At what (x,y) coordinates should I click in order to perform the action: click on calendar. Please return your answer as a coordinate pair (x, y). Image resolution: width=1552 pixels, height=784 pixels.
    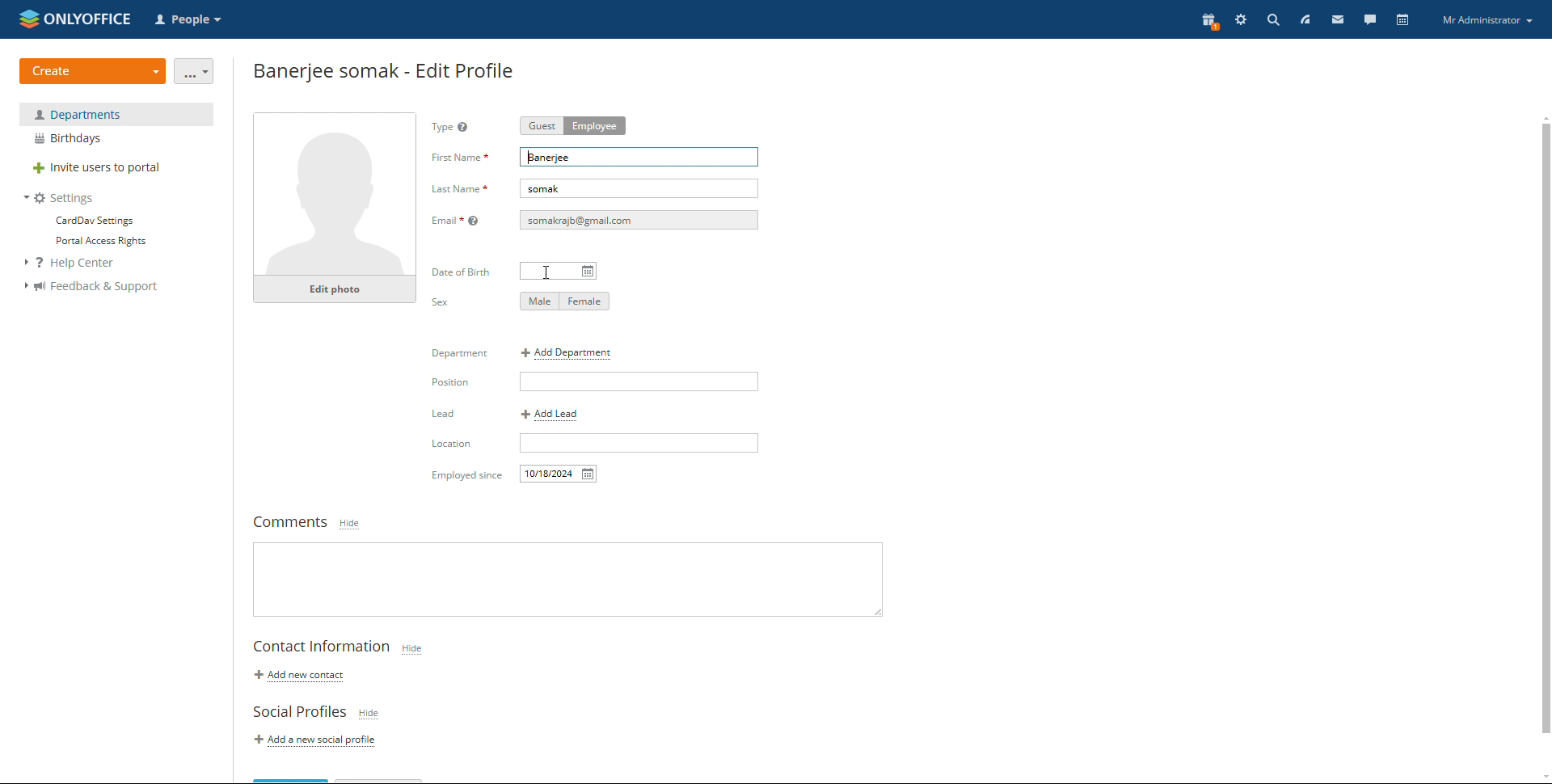
    Looking at the image, I should click on (1402, 19).